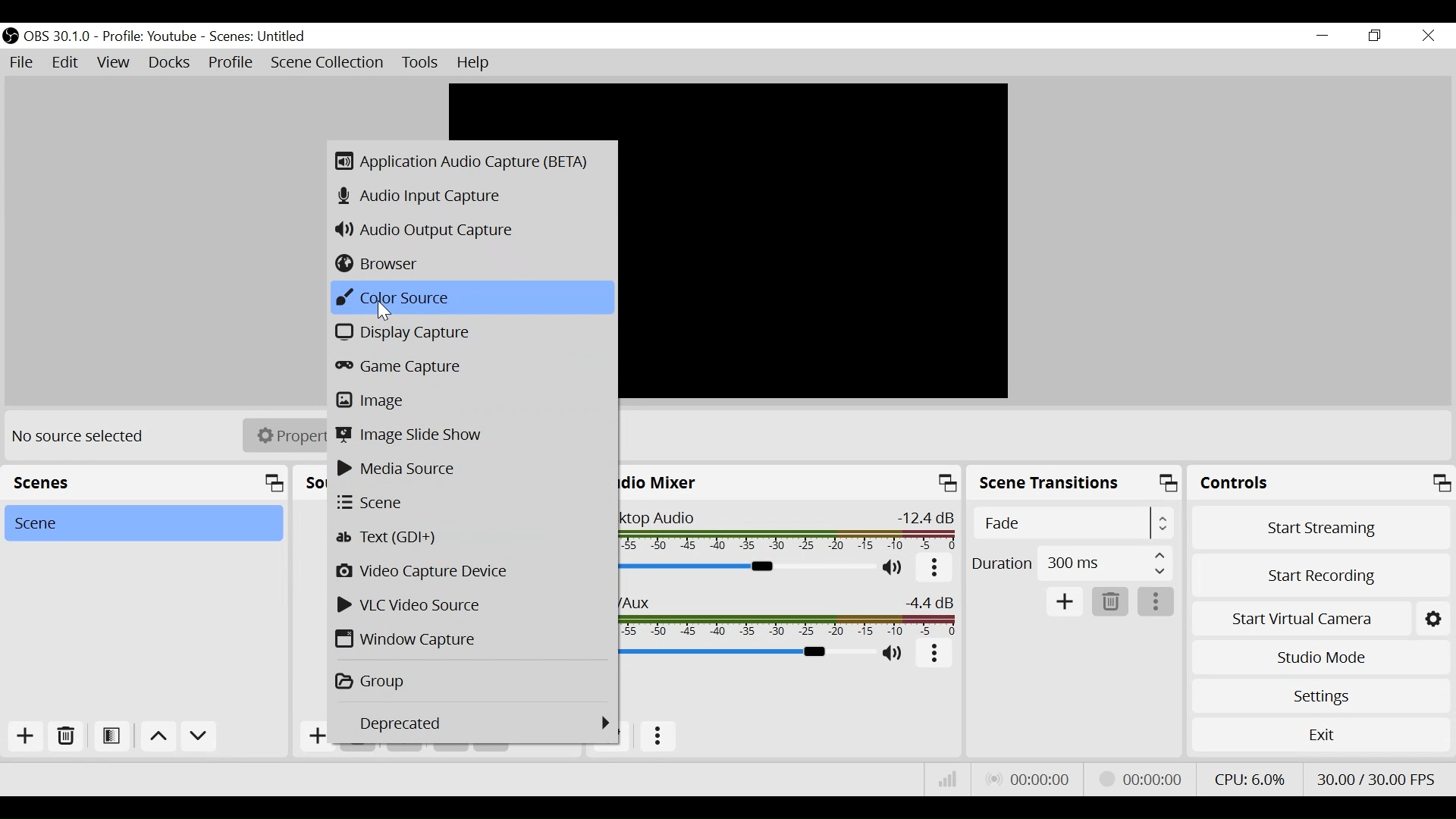 The image size is (1456, 819). What do you see at coordinates (895, 653) in the screenshot?
I see `(un)mute` at bounding box center [895, 653].